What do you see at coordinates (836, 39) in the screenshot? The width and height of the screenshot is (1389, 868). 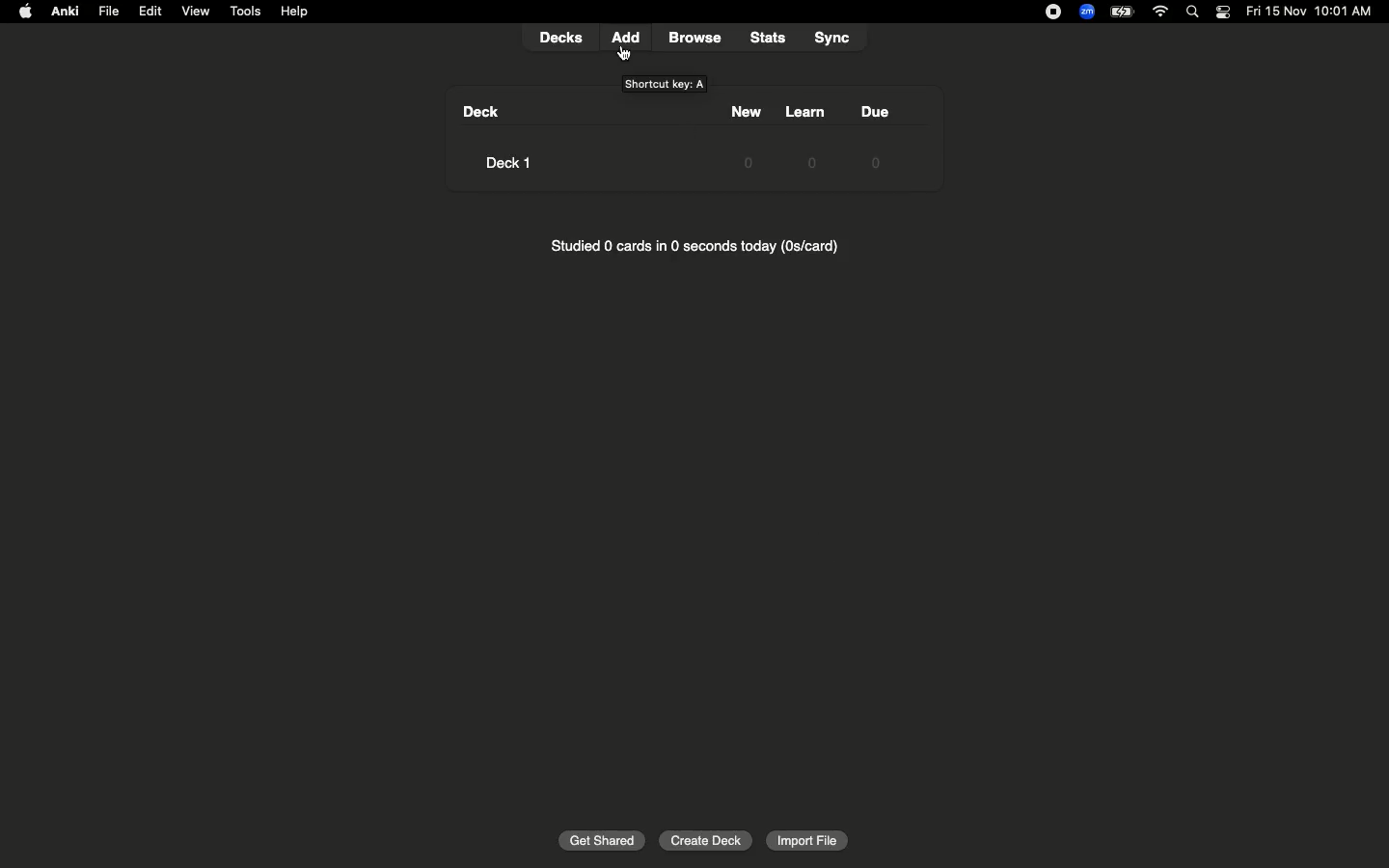 I see `Sync` at bounding box center [836, 39].